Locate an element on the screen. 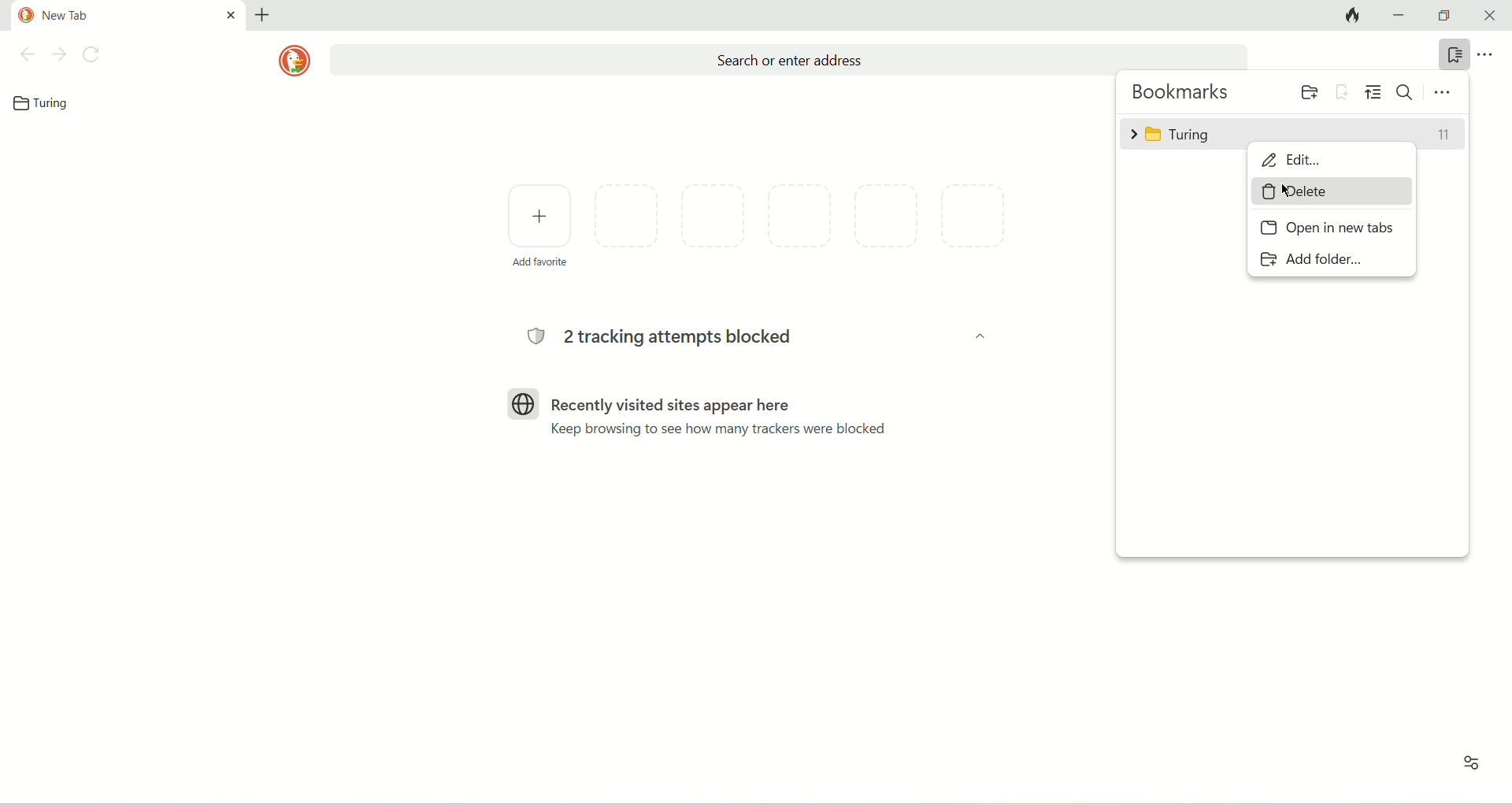 This screenshot has height=805, width=1512. search is located at coordinates (787, 60).